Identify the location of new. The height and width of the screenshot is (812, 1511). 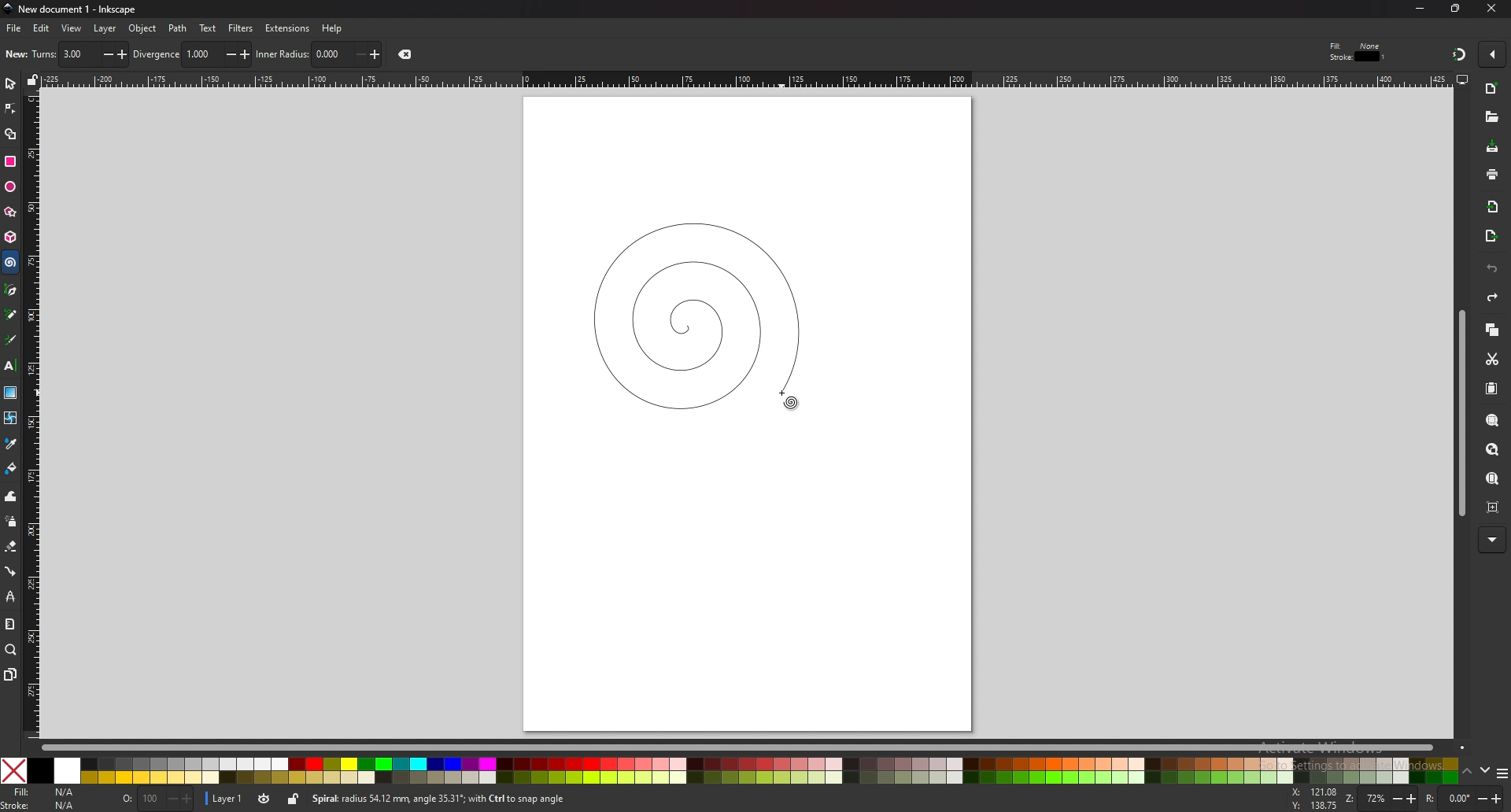
(1492, 89).